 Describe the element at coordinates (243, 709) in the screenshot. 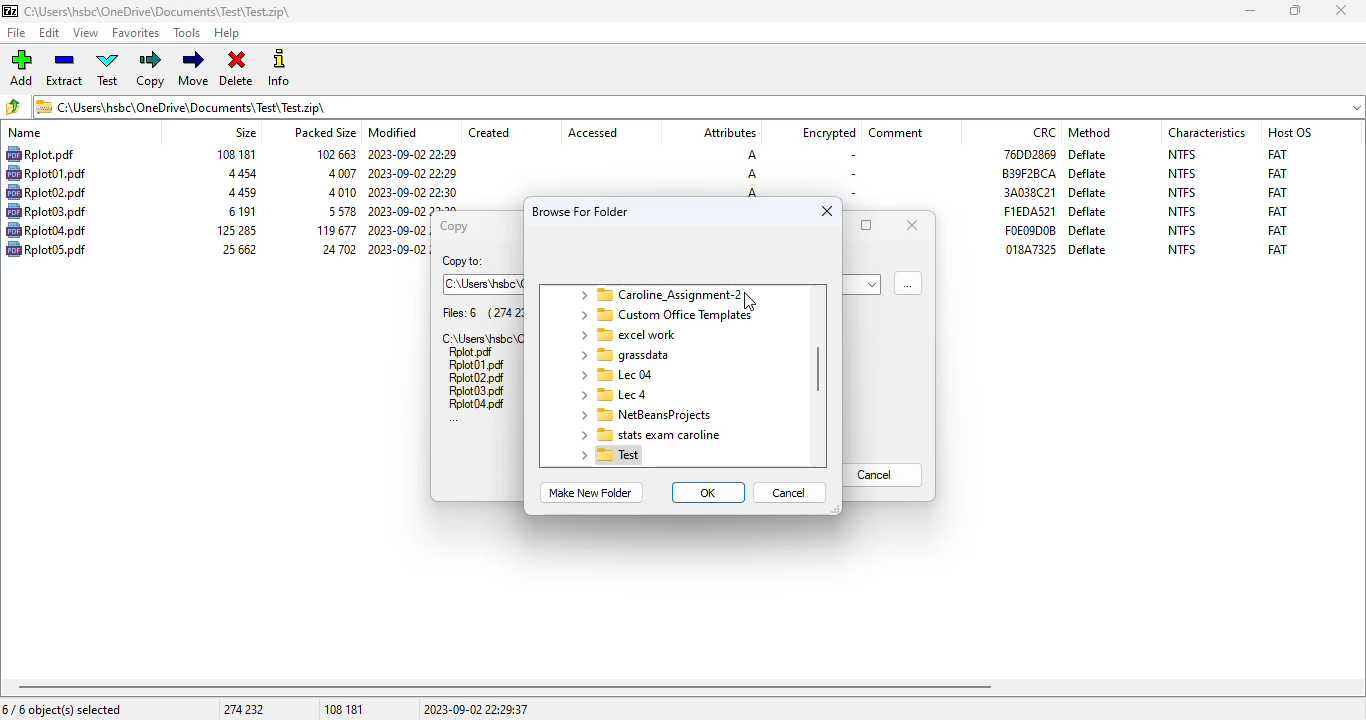

I see `274 232` at that location.